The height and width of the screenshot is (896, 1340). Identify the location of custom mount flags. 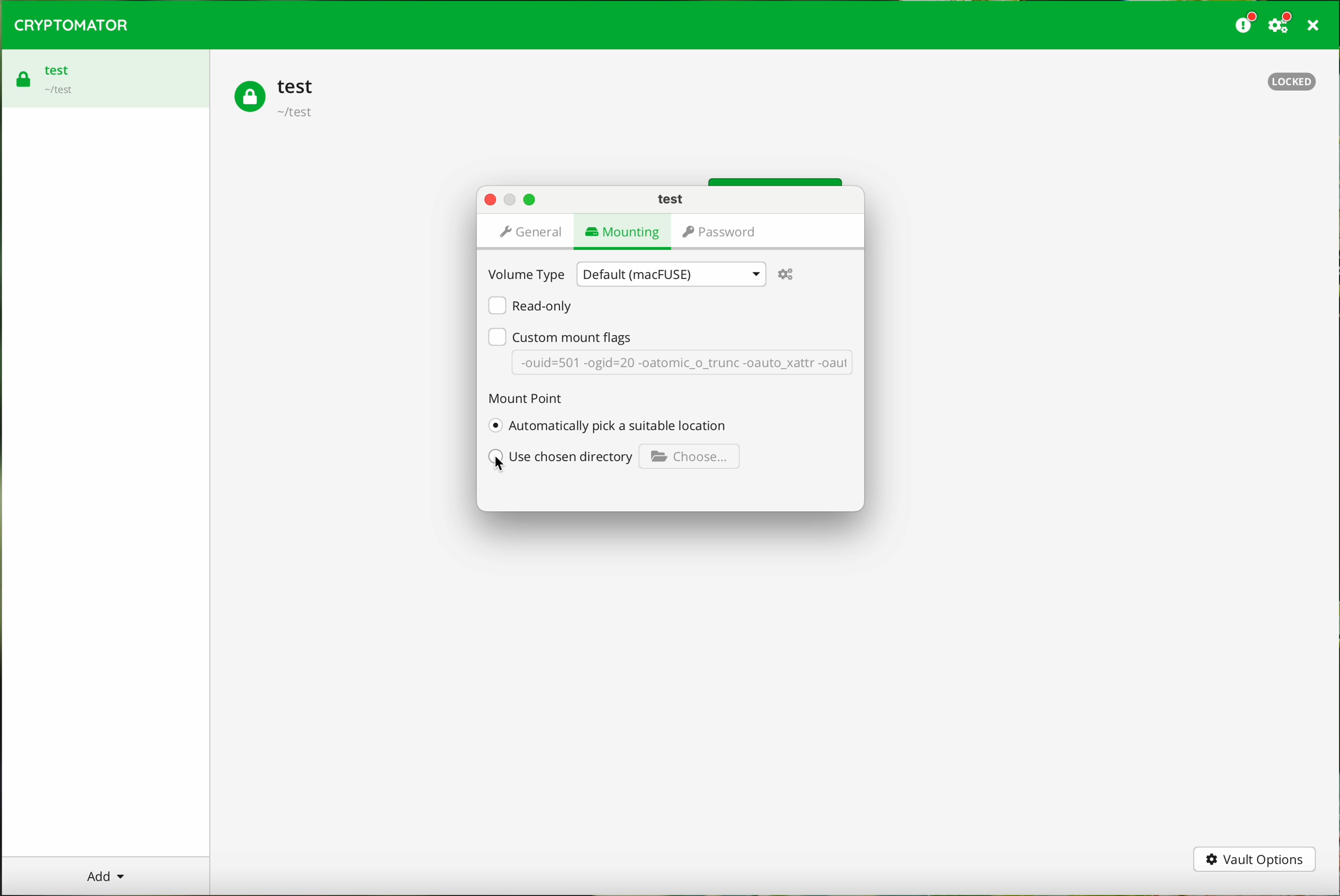
(561, 336).